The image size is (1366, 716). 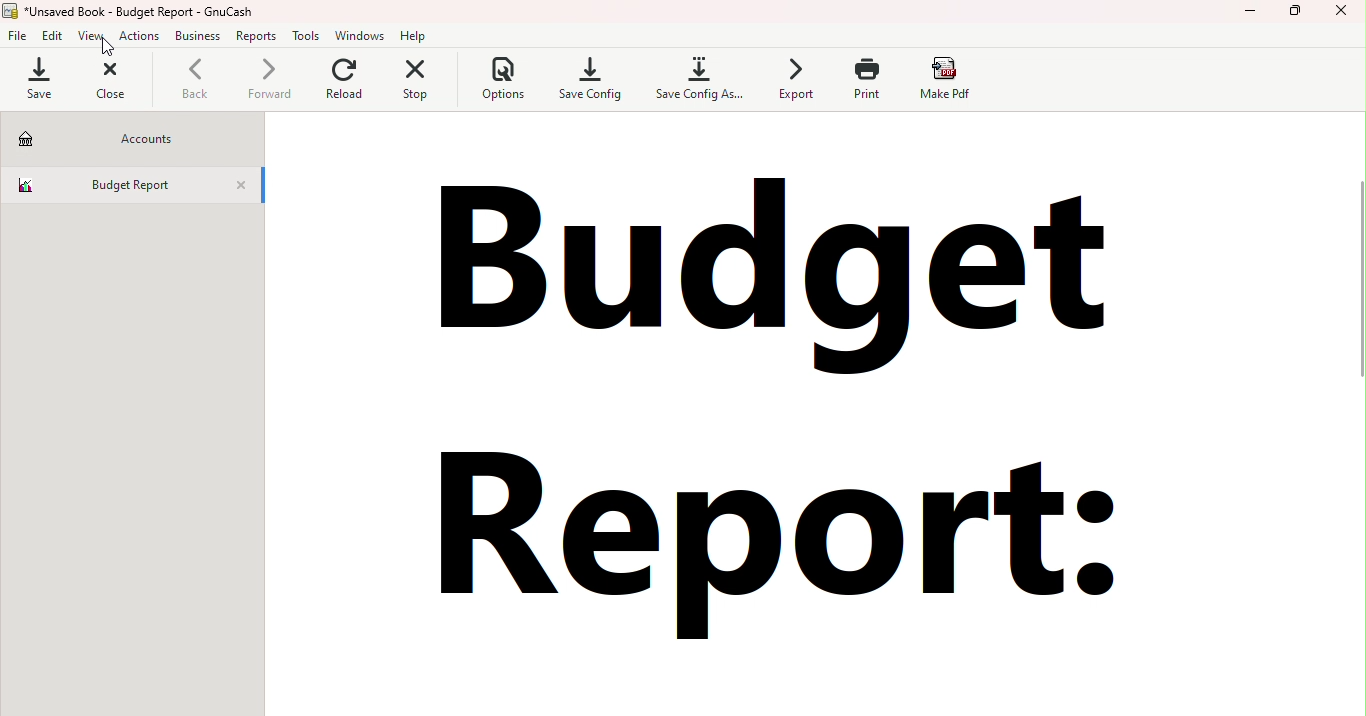 I want to click on File, so click(x=18, y=37).